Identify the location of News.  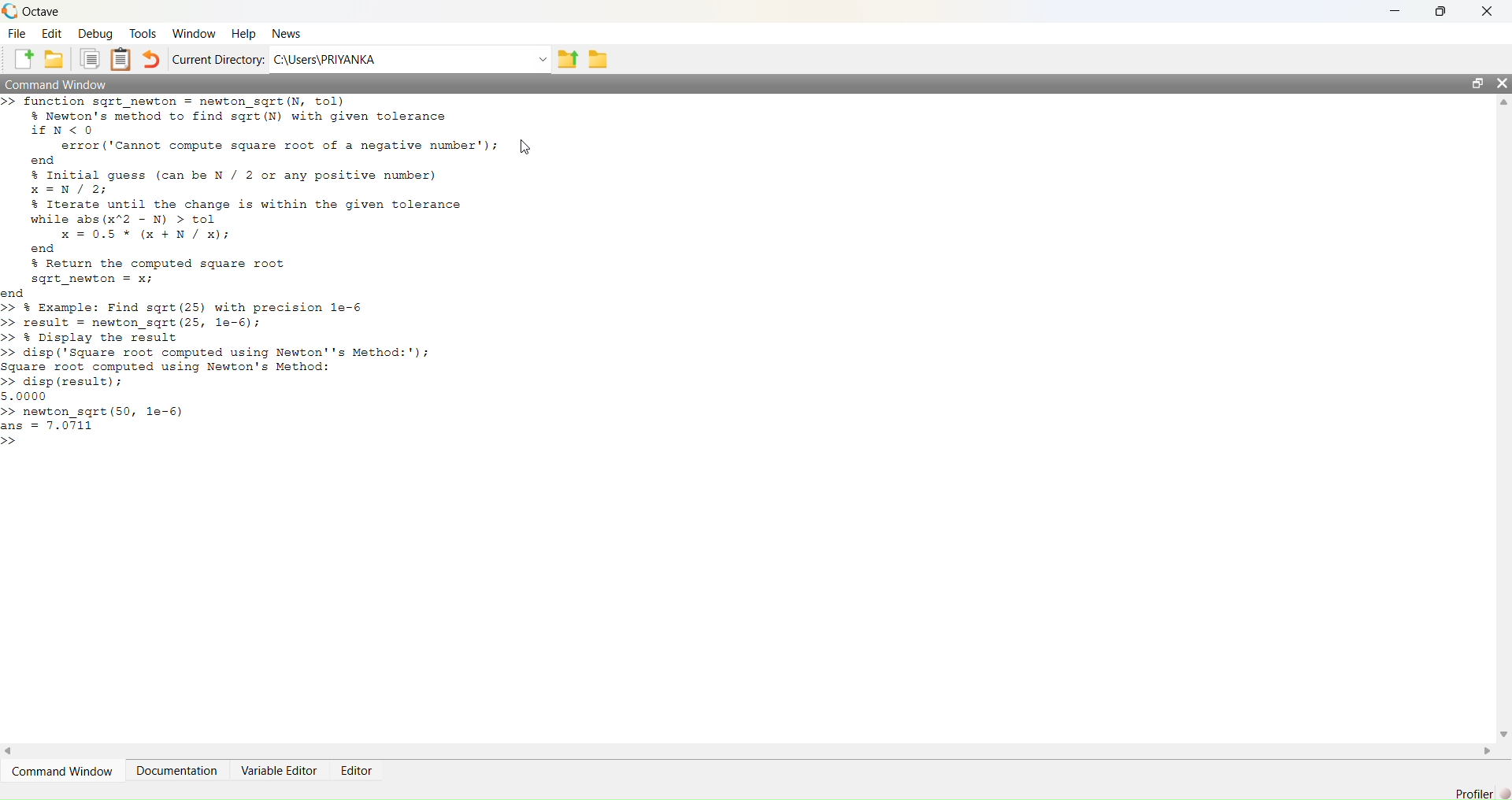
(287, 35).